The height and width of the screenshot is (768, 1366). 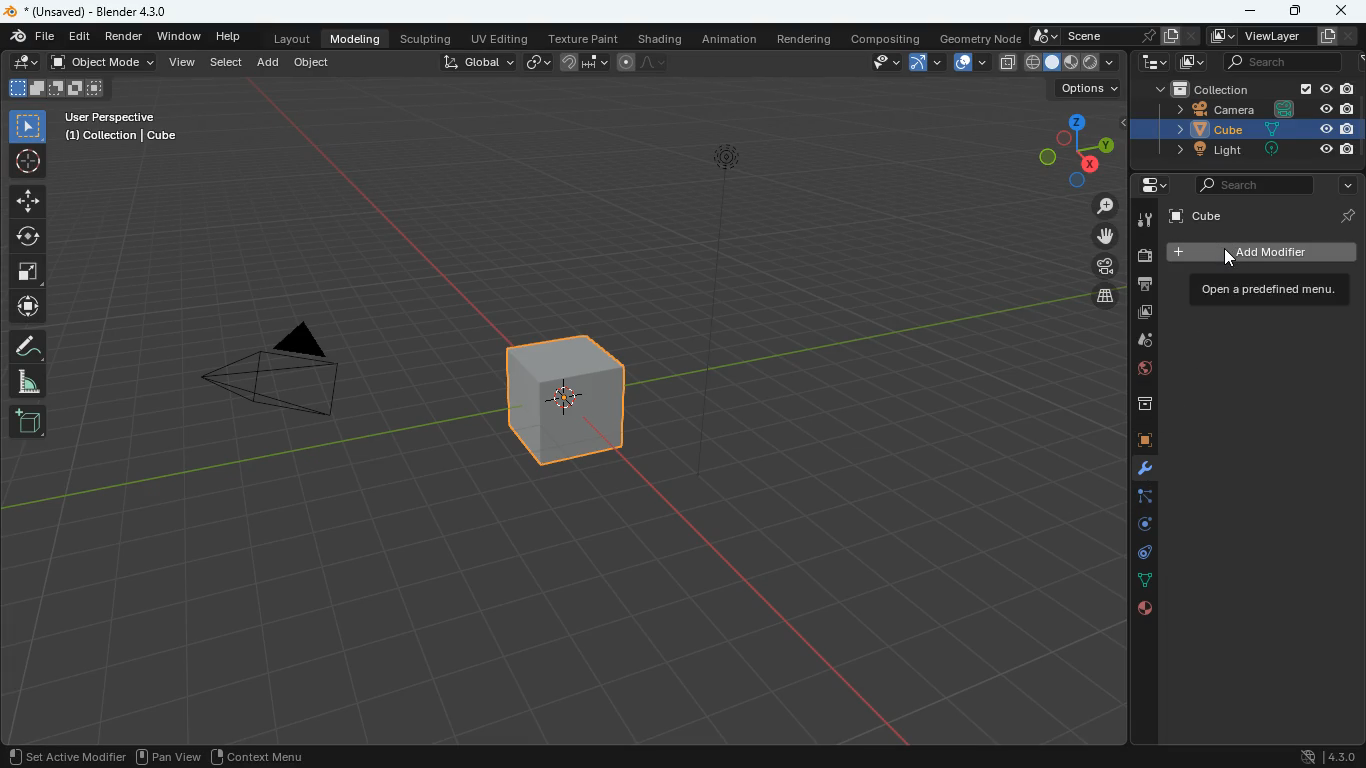 I want to click on open menu, so click(x=1264, y=289).